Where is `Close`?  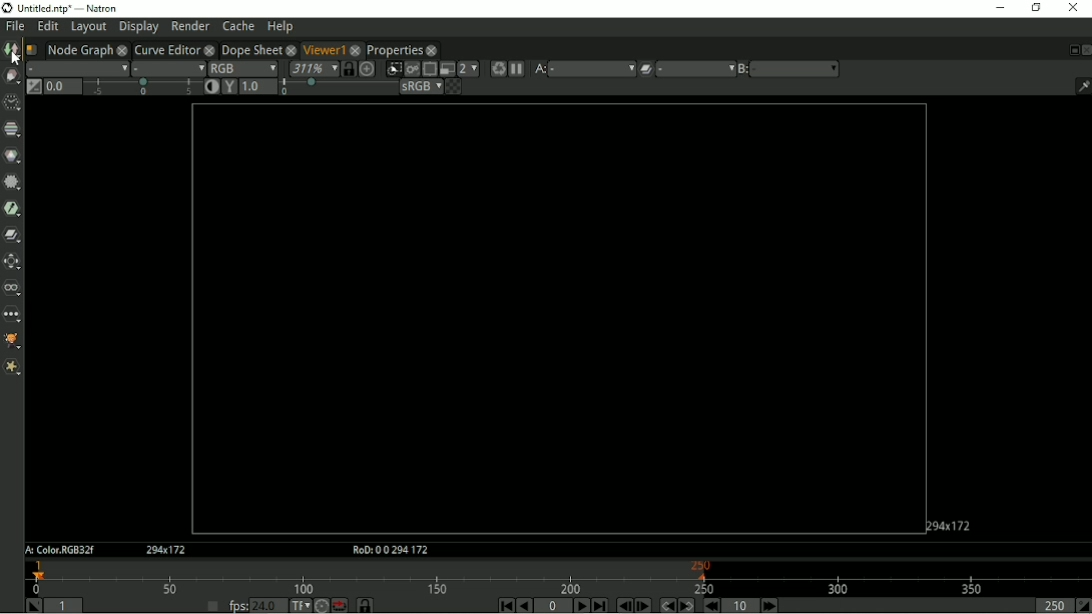 Close is located at coordinates (1085, 50).